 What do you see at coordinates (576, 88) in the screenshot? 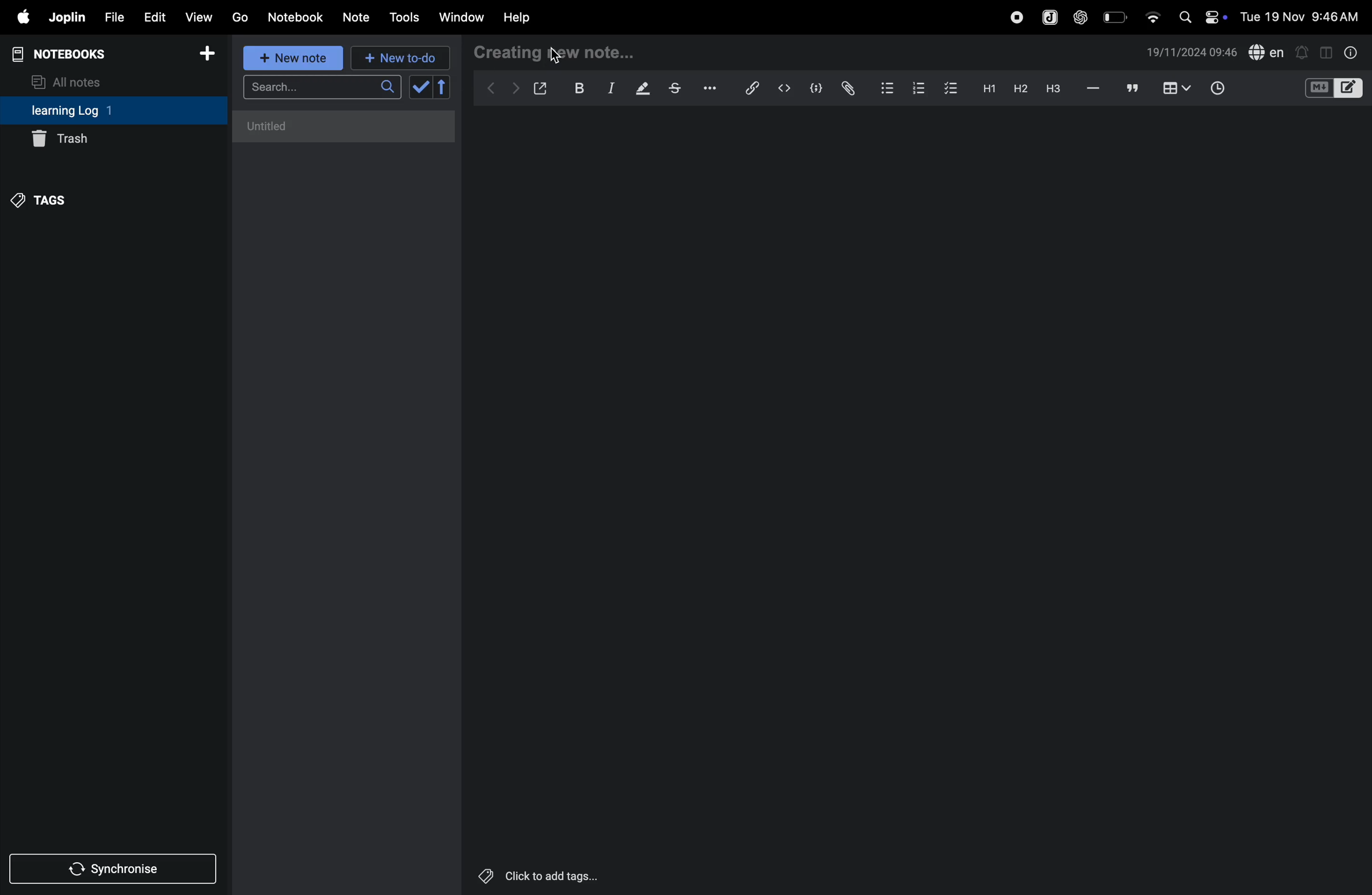
I see `bold` at bounding box center [576, 88].